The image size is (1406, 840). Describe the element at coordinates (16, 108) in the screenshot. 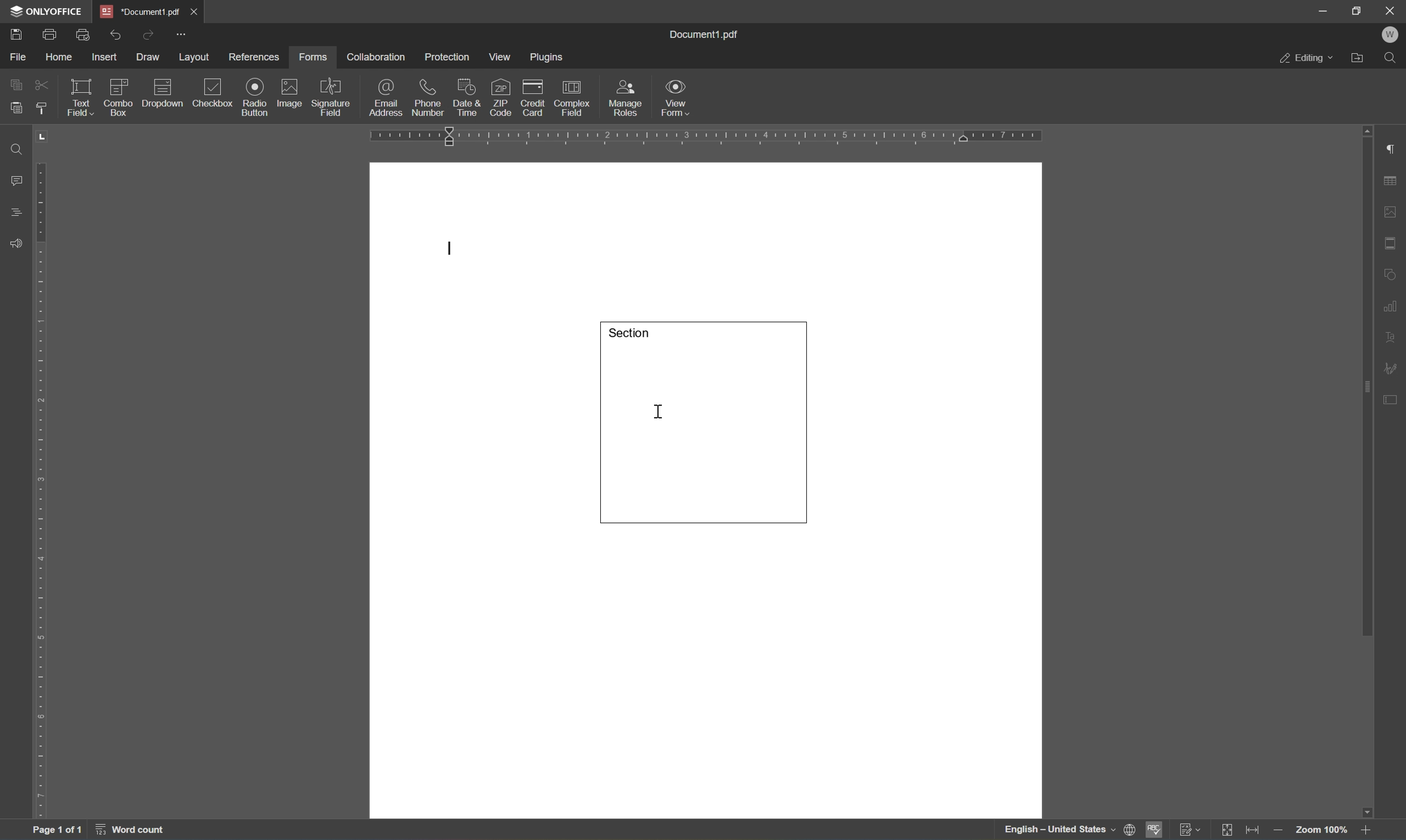

I see `paste` at that location.